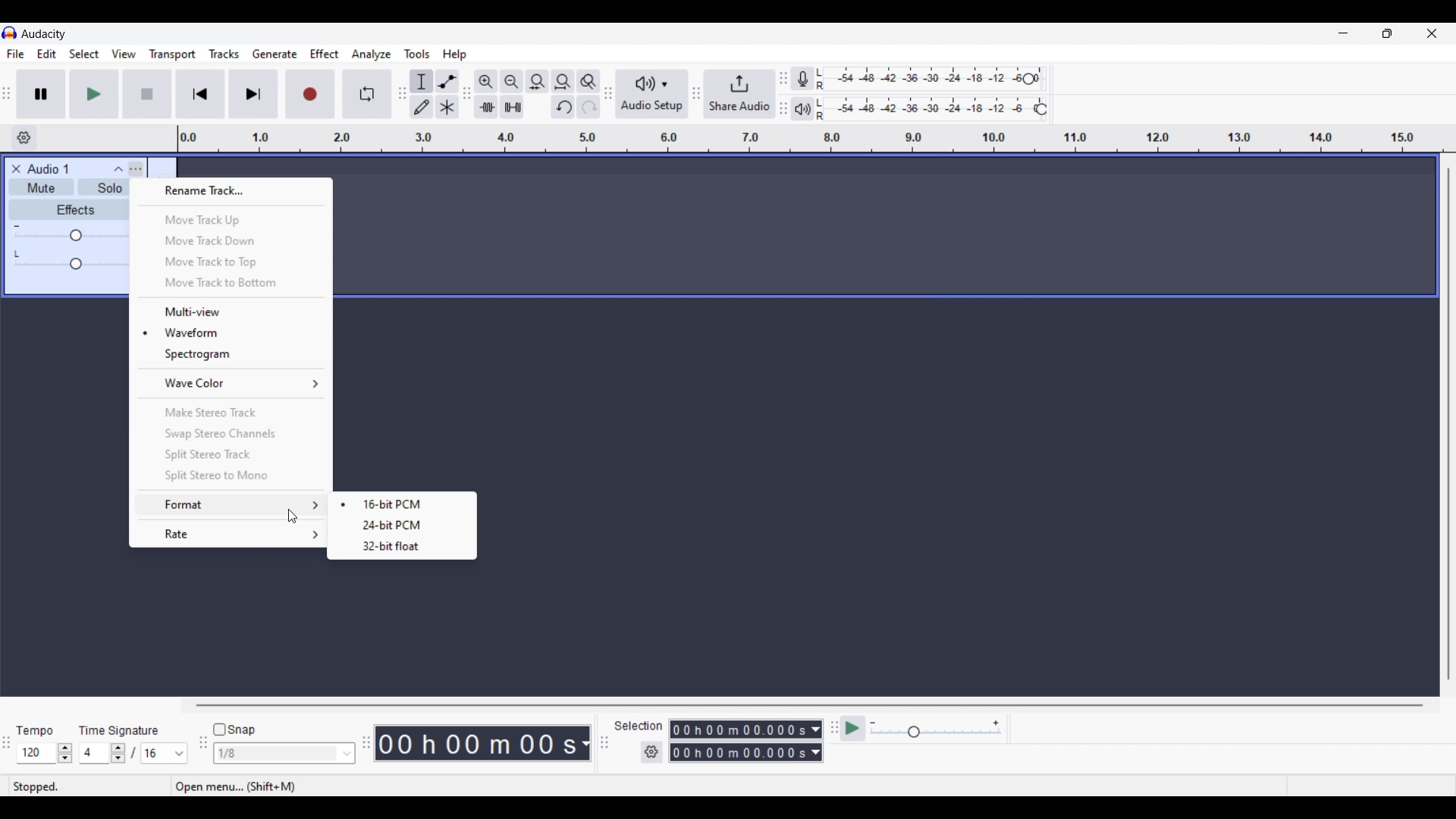  I want to click on Fit project to width, so click(563, 81).